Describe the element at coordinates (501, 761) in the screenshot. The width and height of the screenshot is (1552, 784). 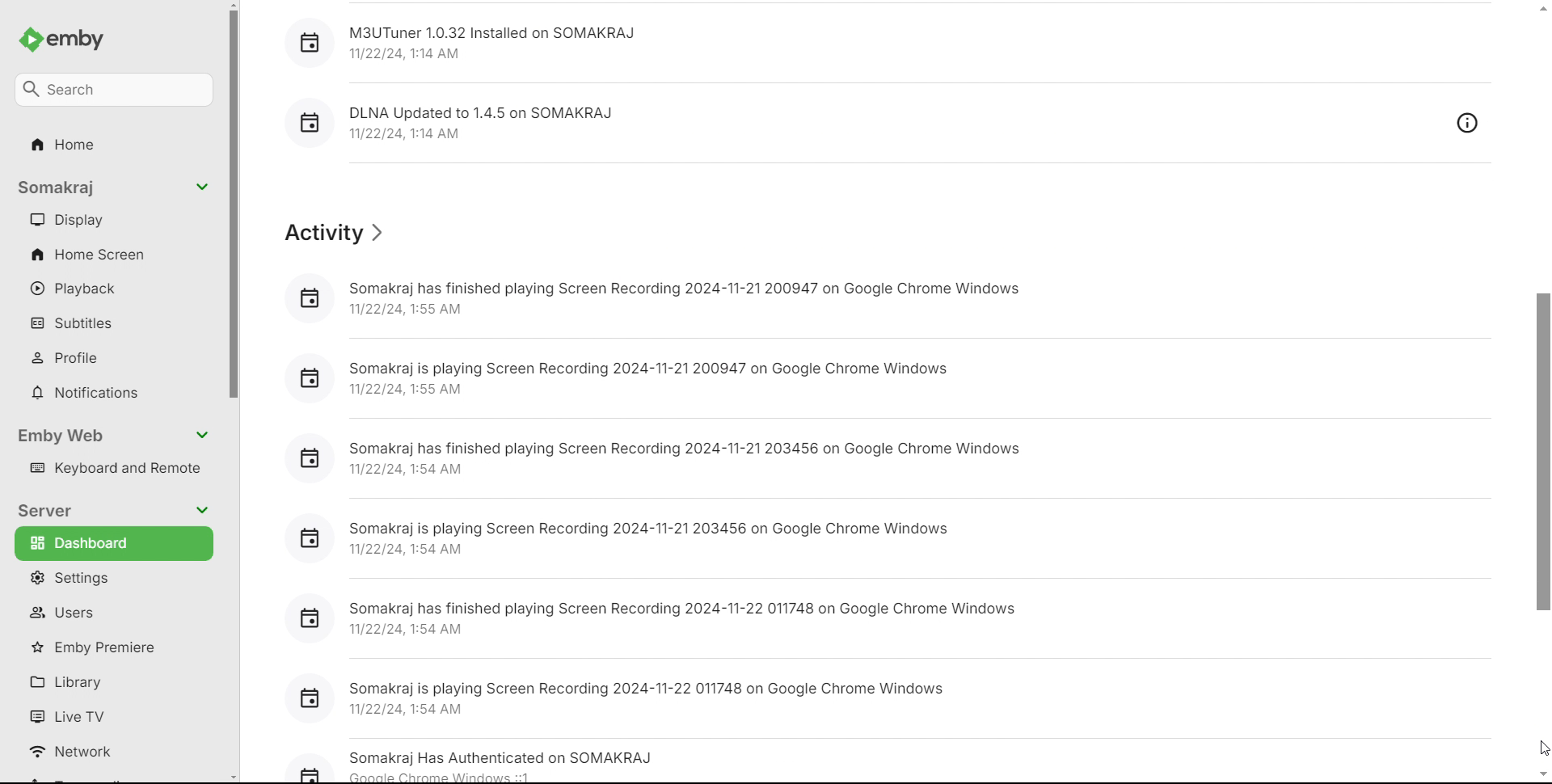
I see `Somakraj Has Authenticated on SOMAKRAJ
AB cnnnle Chrams Windowe 1` at that location.